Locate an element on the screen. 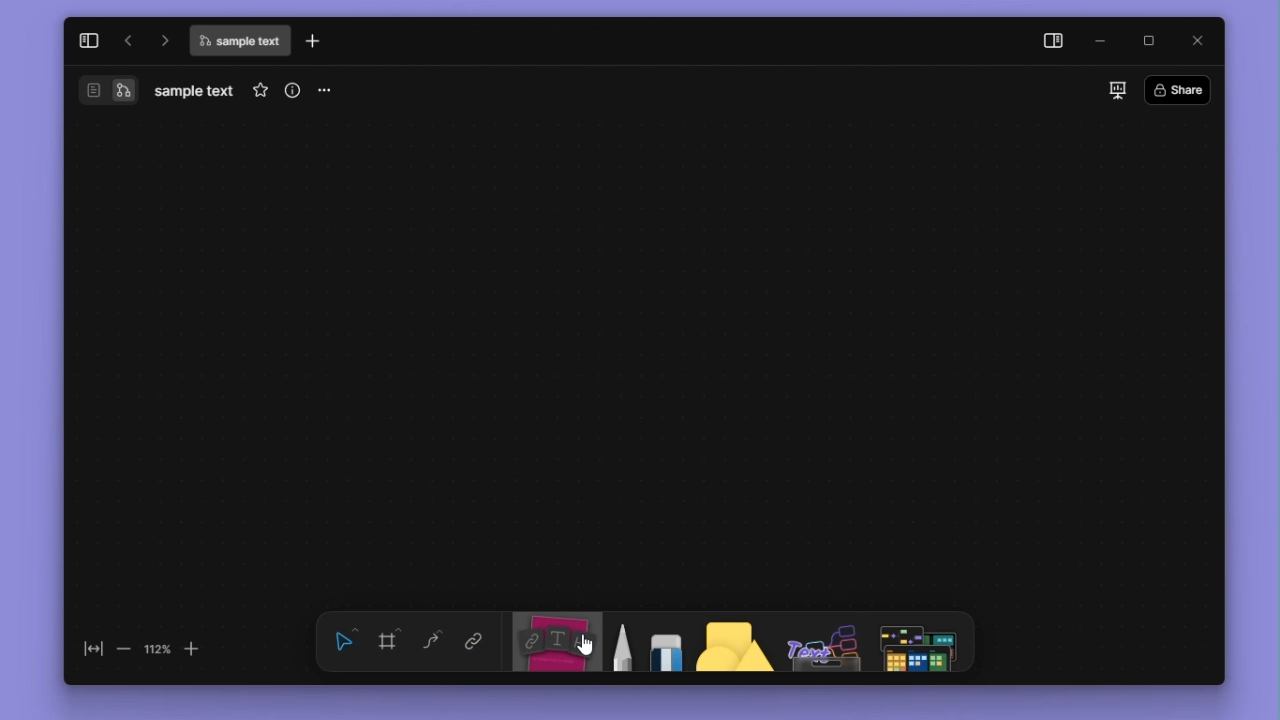  link is located at coordinates (474, 639).